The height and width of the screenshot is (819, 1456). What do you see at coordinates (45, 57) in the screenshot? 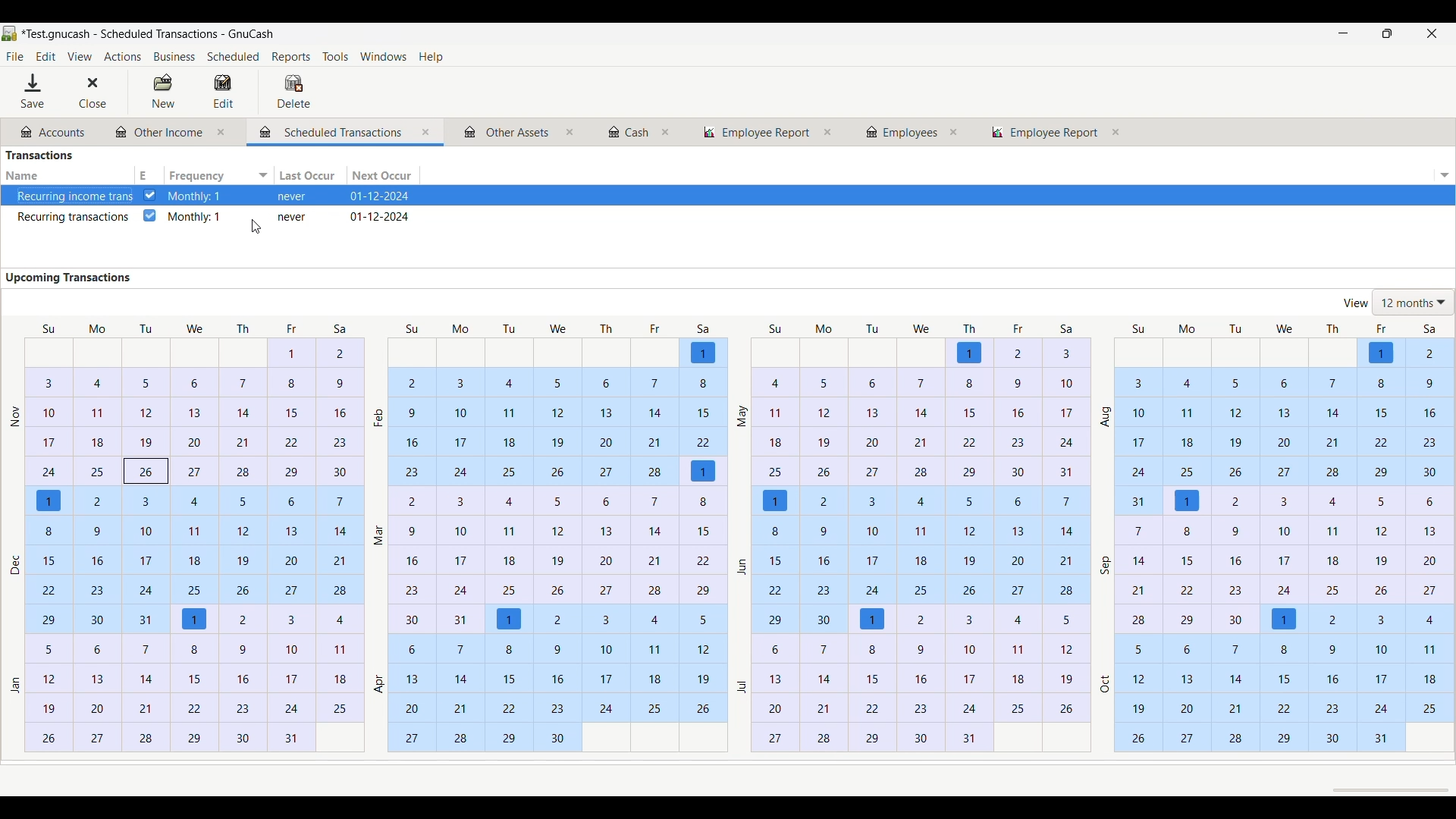
I see `Edit menu` at bounding box center [45, 57].